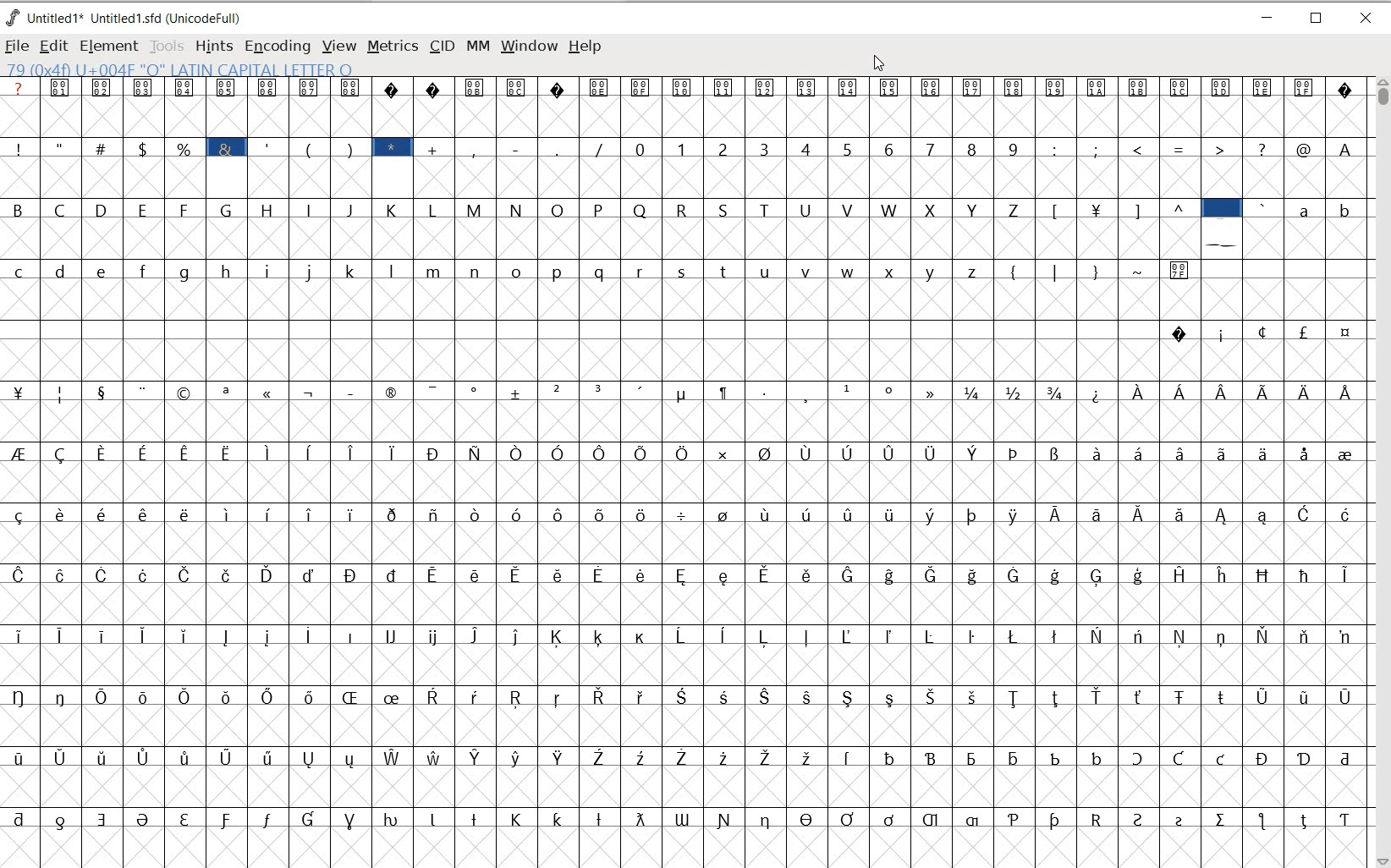  I want to click on HINTS, so click(214, 47).